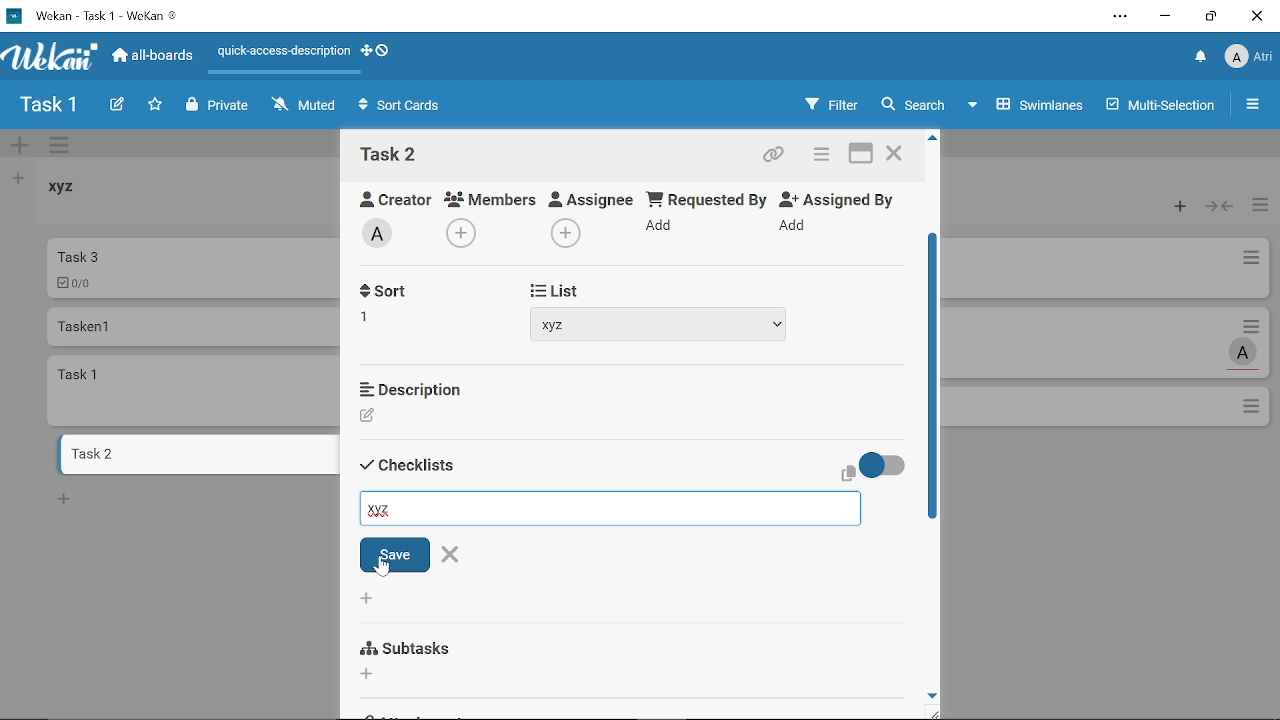 The height and width of the screenshot is (720, 1280). What do you see at coordinates (1211, 16) in the screenshot?
I see `Restore down` at bounding box center [1211, 16].